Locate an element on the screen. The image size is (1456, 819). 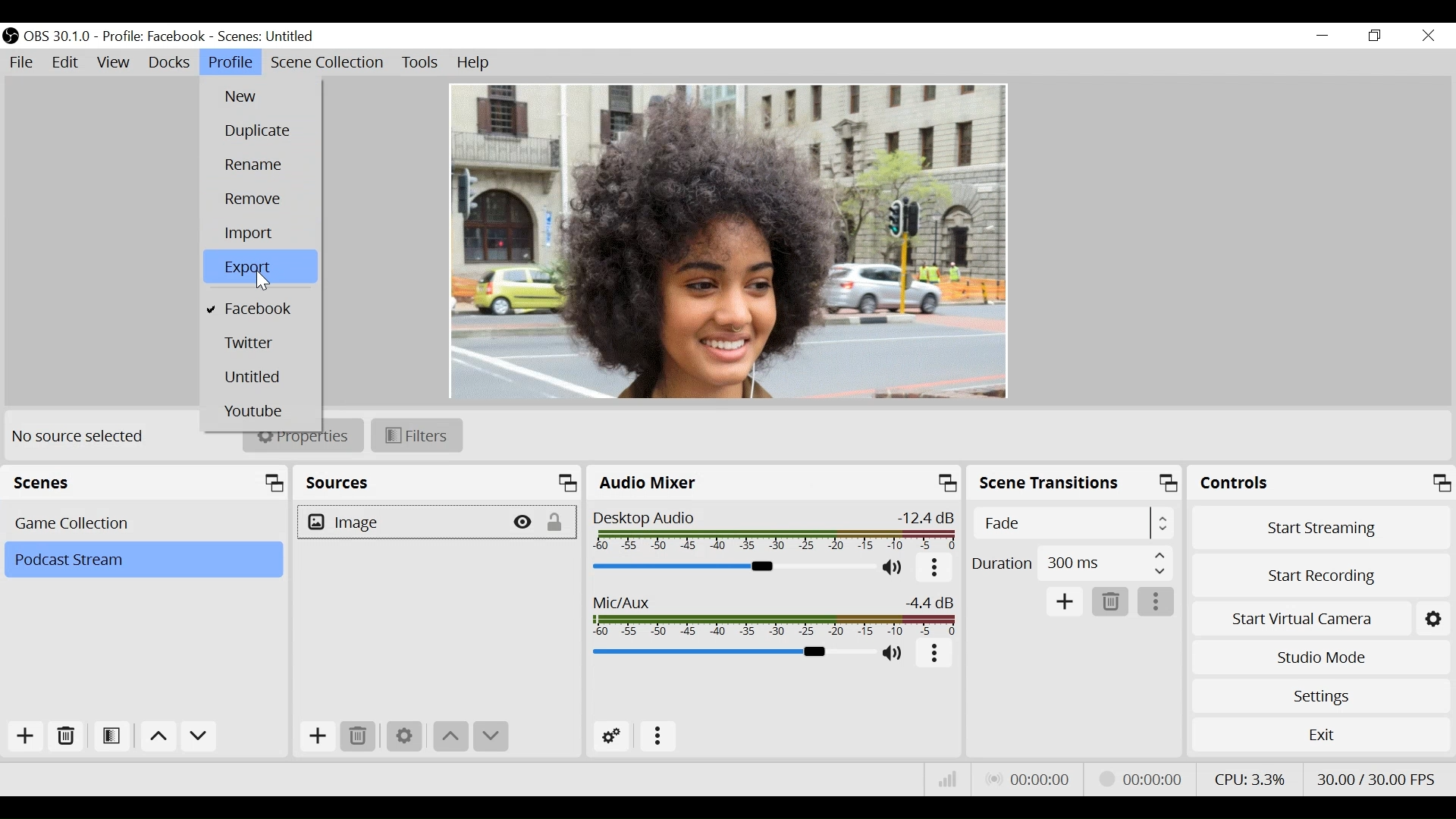
Remove is located at coordinates (358, 736).